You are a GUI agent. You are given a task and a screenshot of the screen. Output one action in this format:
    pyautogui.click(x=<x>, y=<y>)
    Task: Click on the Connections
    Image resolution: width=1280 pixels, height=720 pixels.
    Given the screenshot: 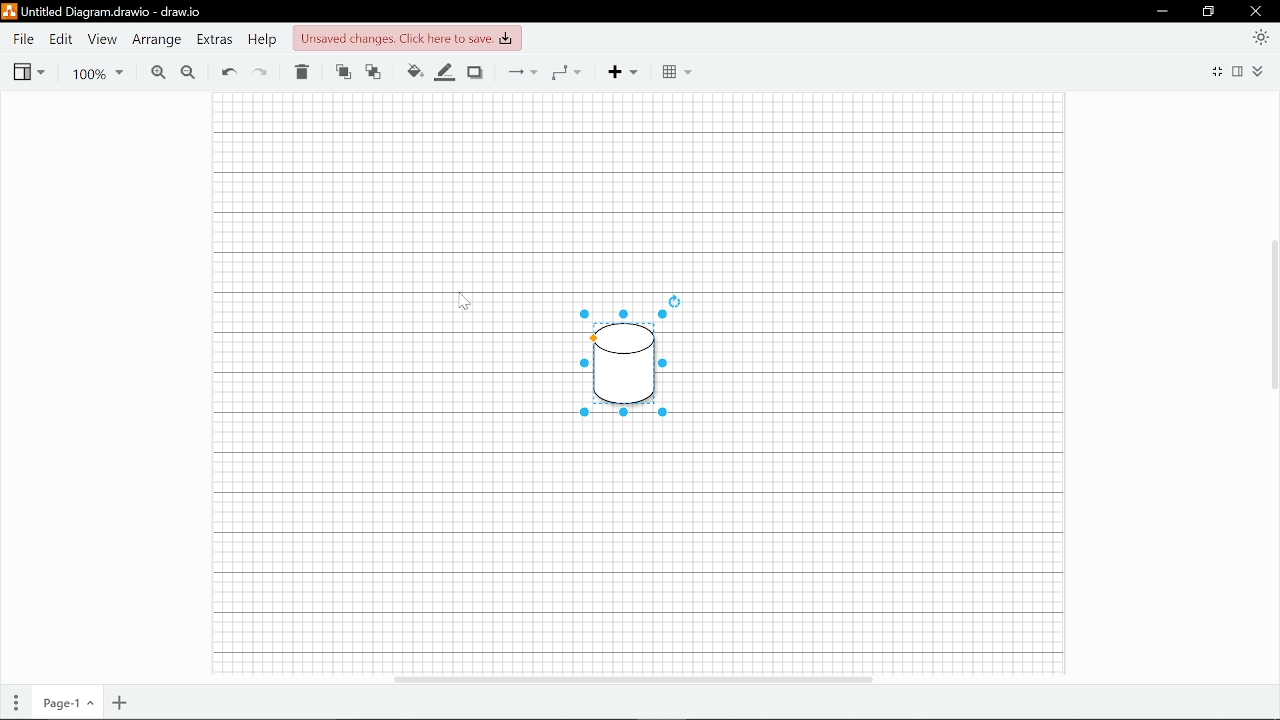 What is the action you would take?
    pyautogui.click(x=519, y=72)
    